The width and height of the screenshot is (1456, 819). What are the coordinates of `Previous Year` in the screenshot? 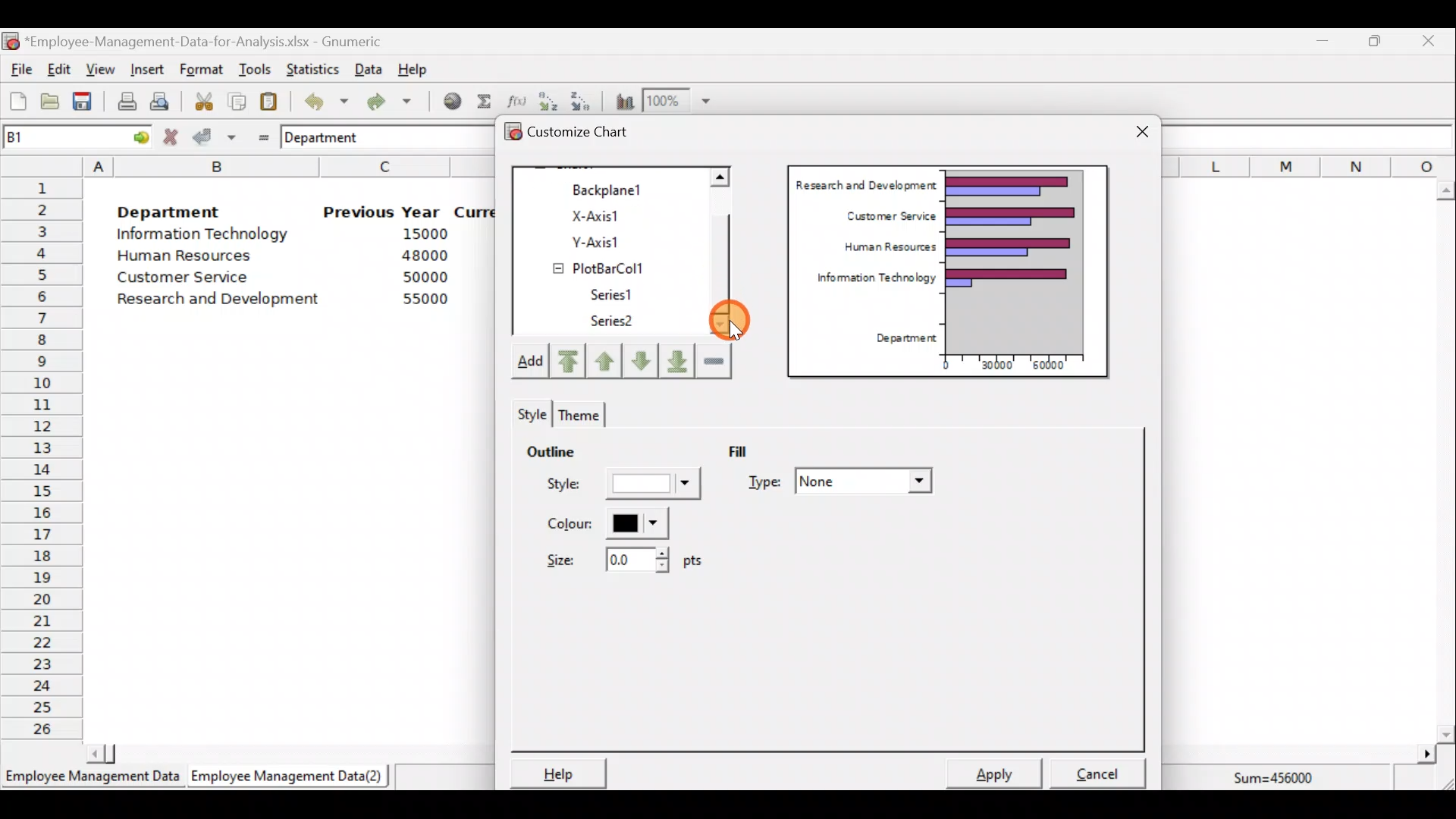 It's located at (382, 212).